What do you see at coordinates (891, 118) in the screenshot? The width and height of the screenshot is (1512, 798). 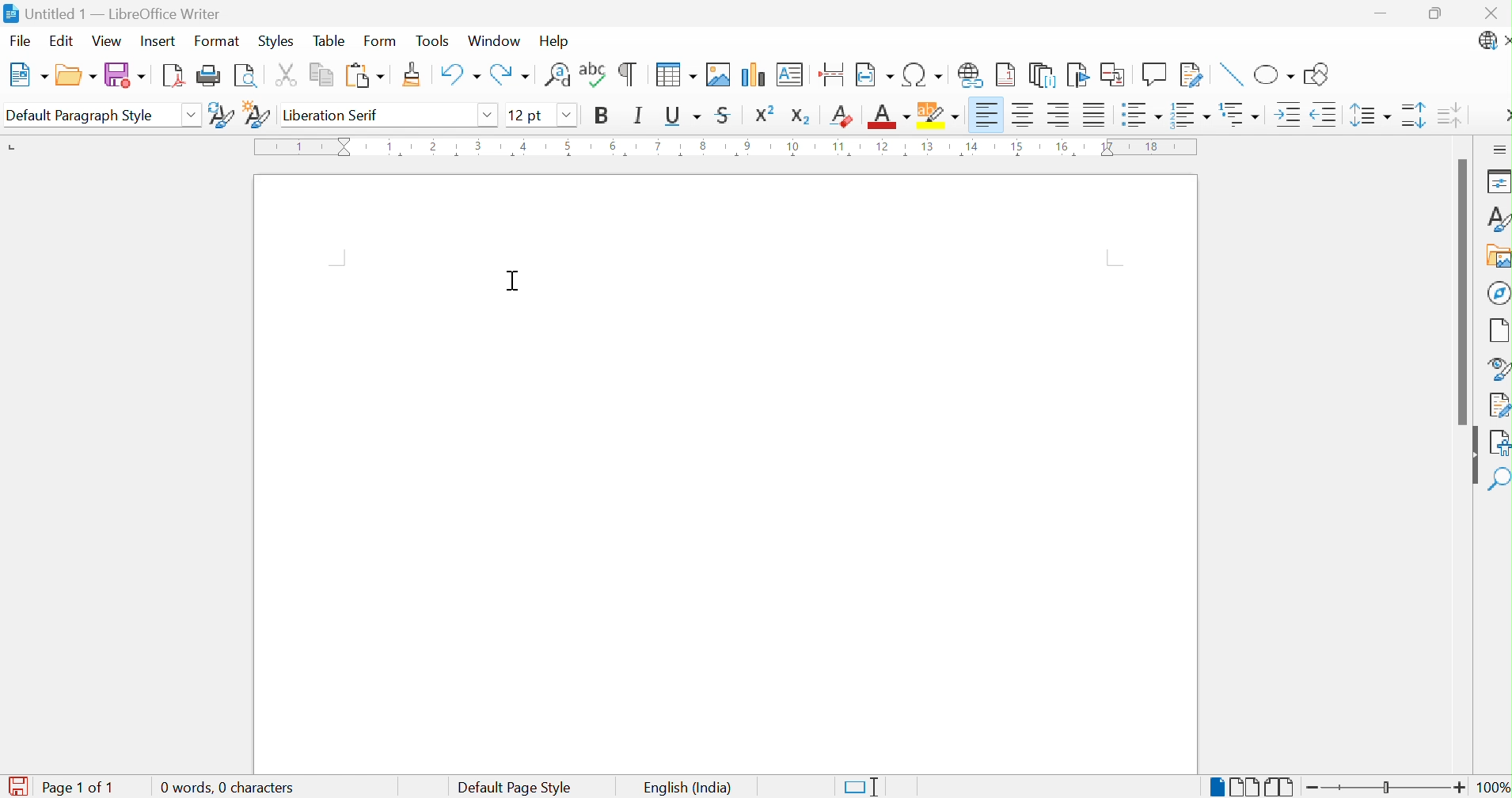 I see `Font Color` at bounding box center [891, 118].